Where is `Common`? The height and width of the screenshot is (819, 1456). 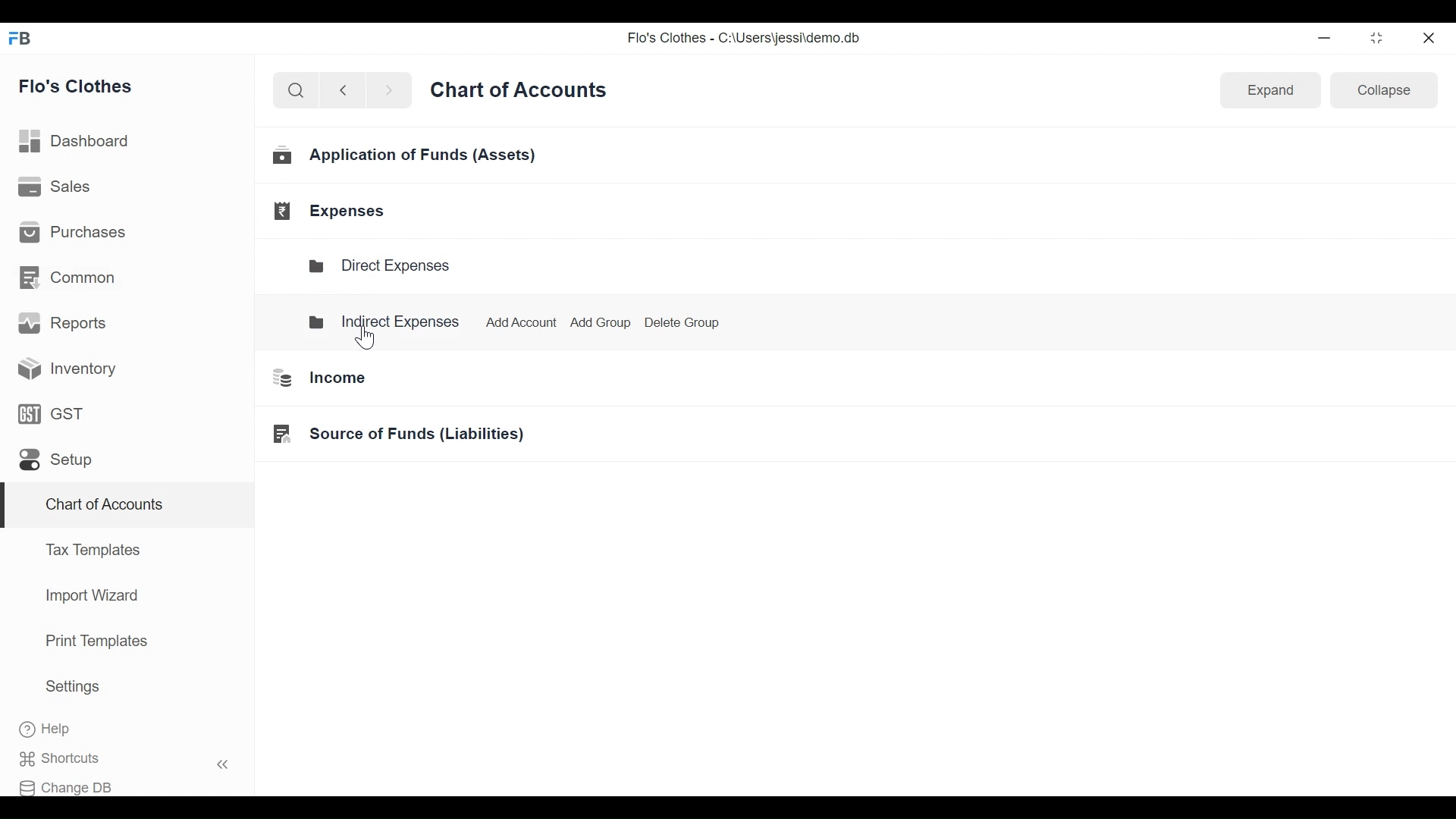 Common is located at coordinates (69, 276).